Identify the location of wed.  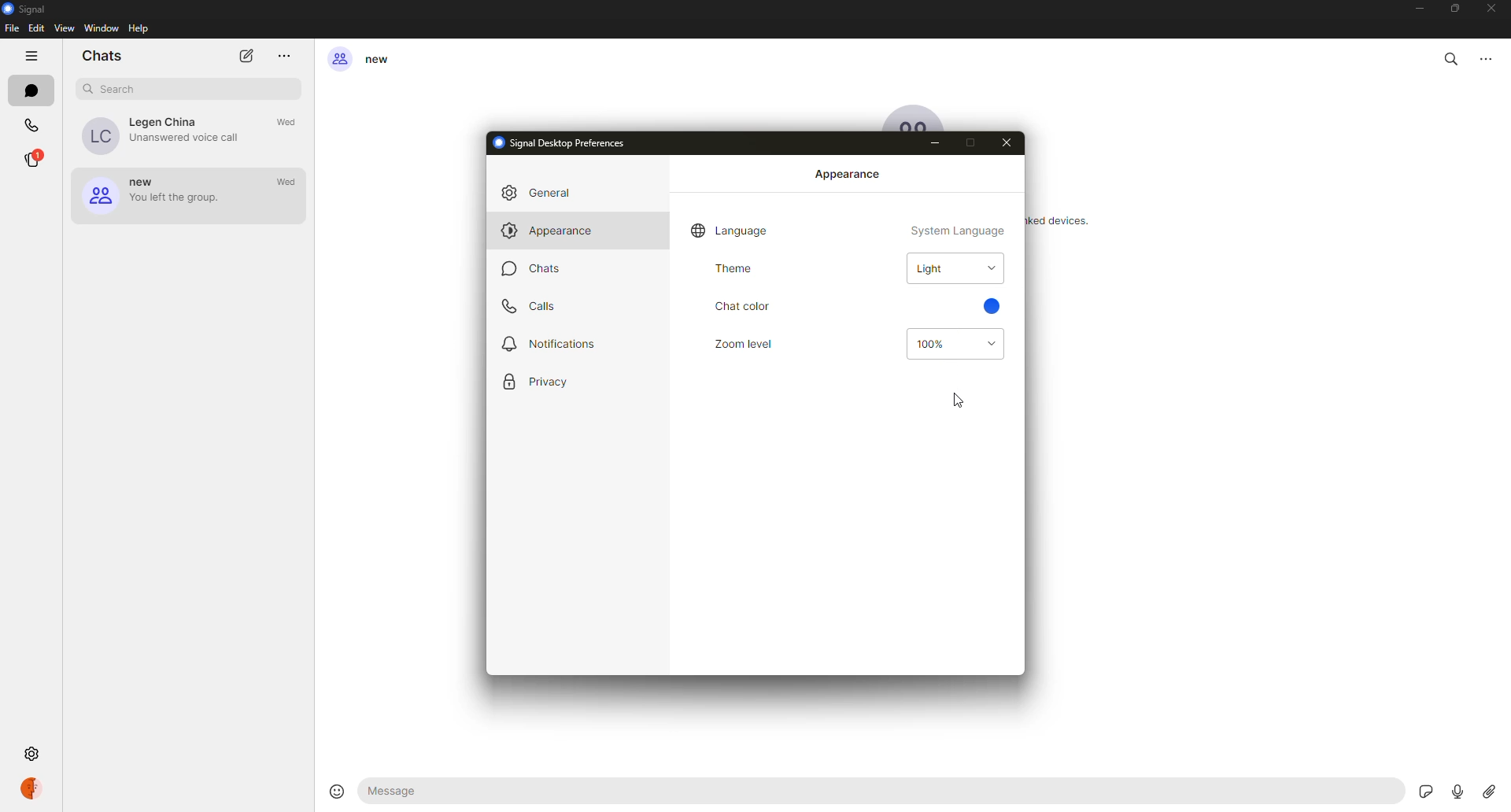
(290, 124).